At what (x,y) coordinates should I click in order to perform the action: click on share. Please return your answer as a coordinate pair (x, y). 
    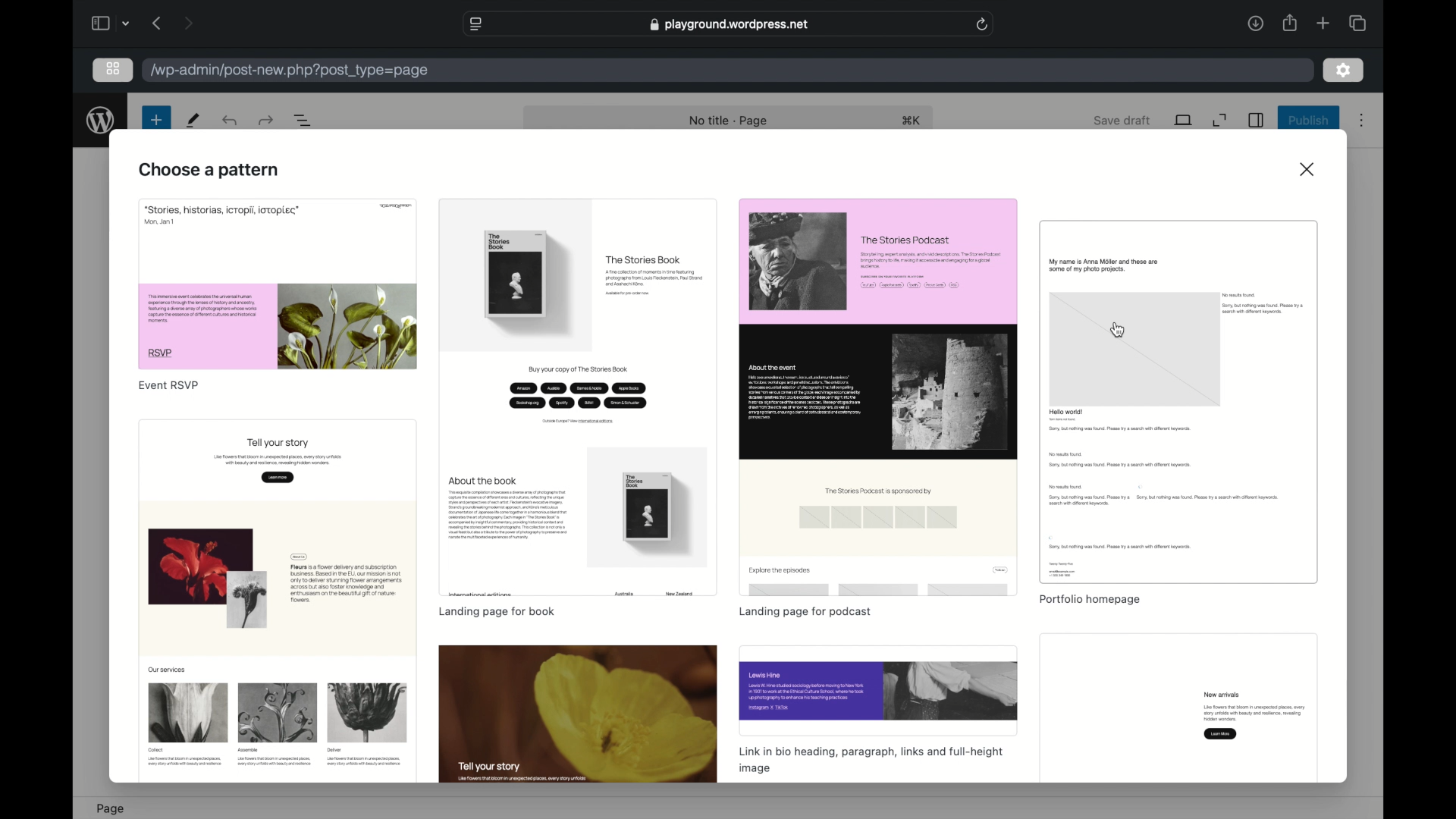
    Looking at the image, I should click on (1288, 24).